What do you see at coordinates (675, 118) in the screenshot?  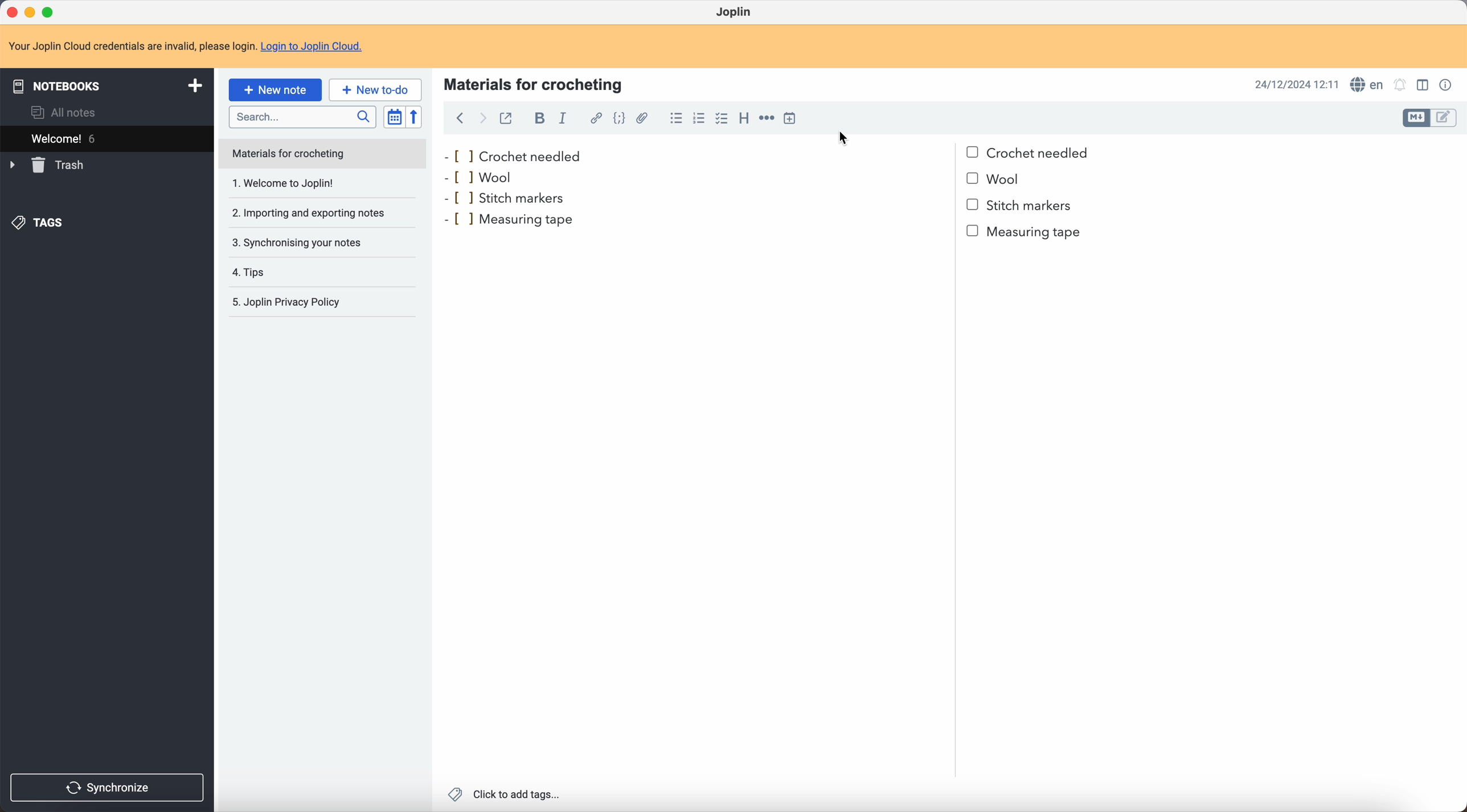 I see `bulleted list` at bounding box center [675, 118].